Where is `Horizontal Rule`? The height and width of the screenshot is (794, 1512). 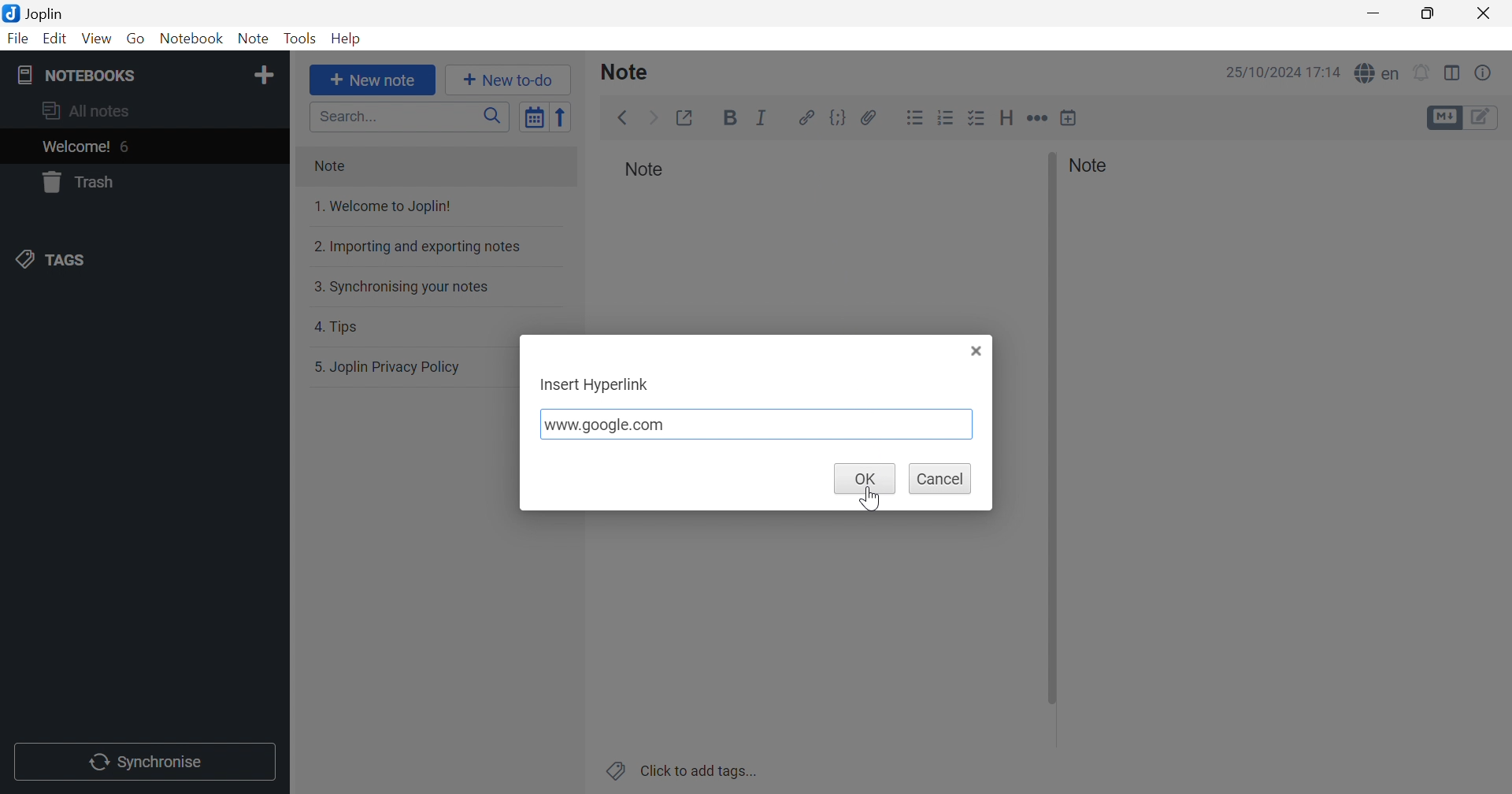
Horizontal Rule is located at coordinates (1038, 117).